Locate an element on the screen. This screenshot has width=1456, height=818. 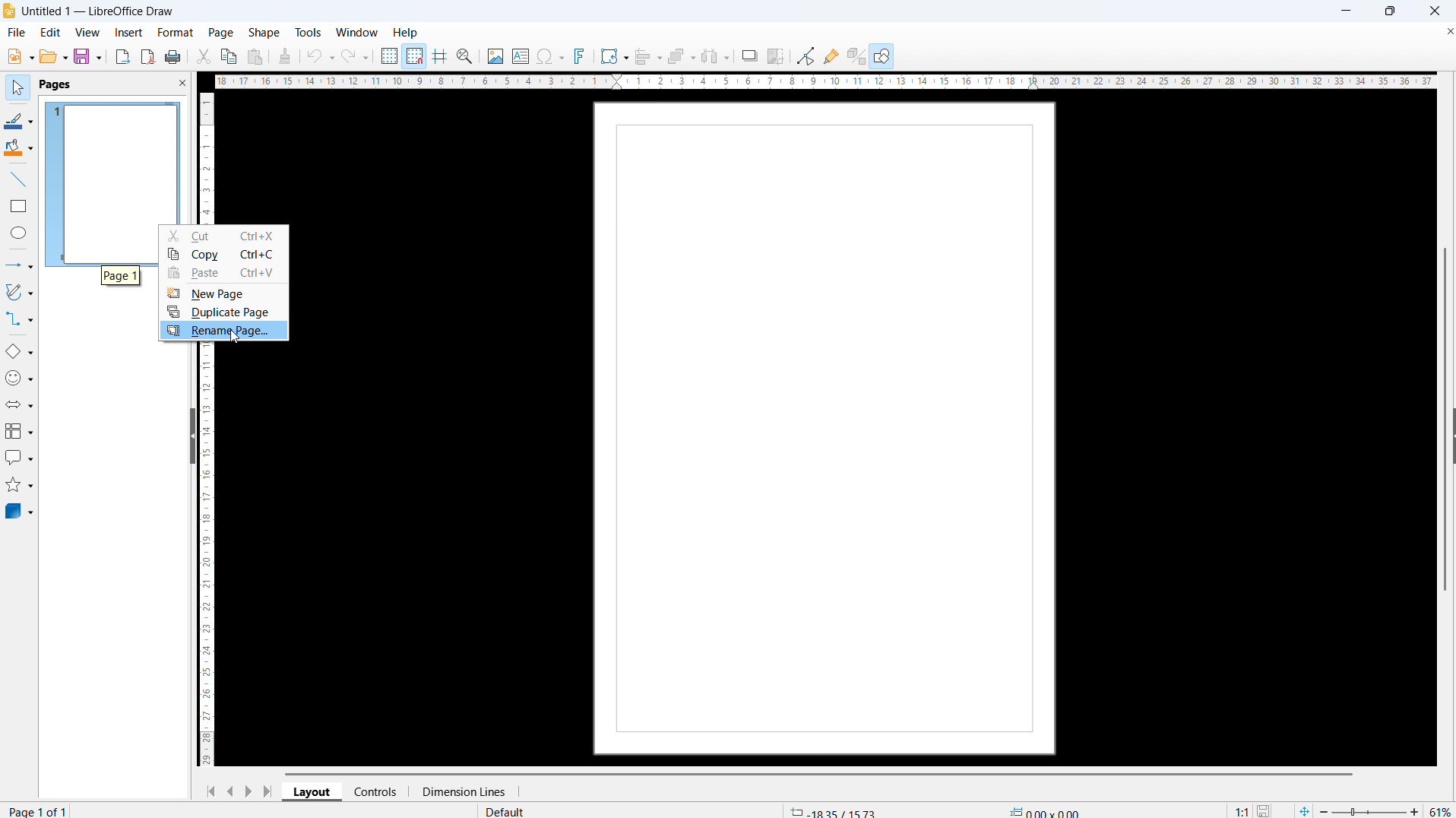
line color is located at coordinates (19, 120).